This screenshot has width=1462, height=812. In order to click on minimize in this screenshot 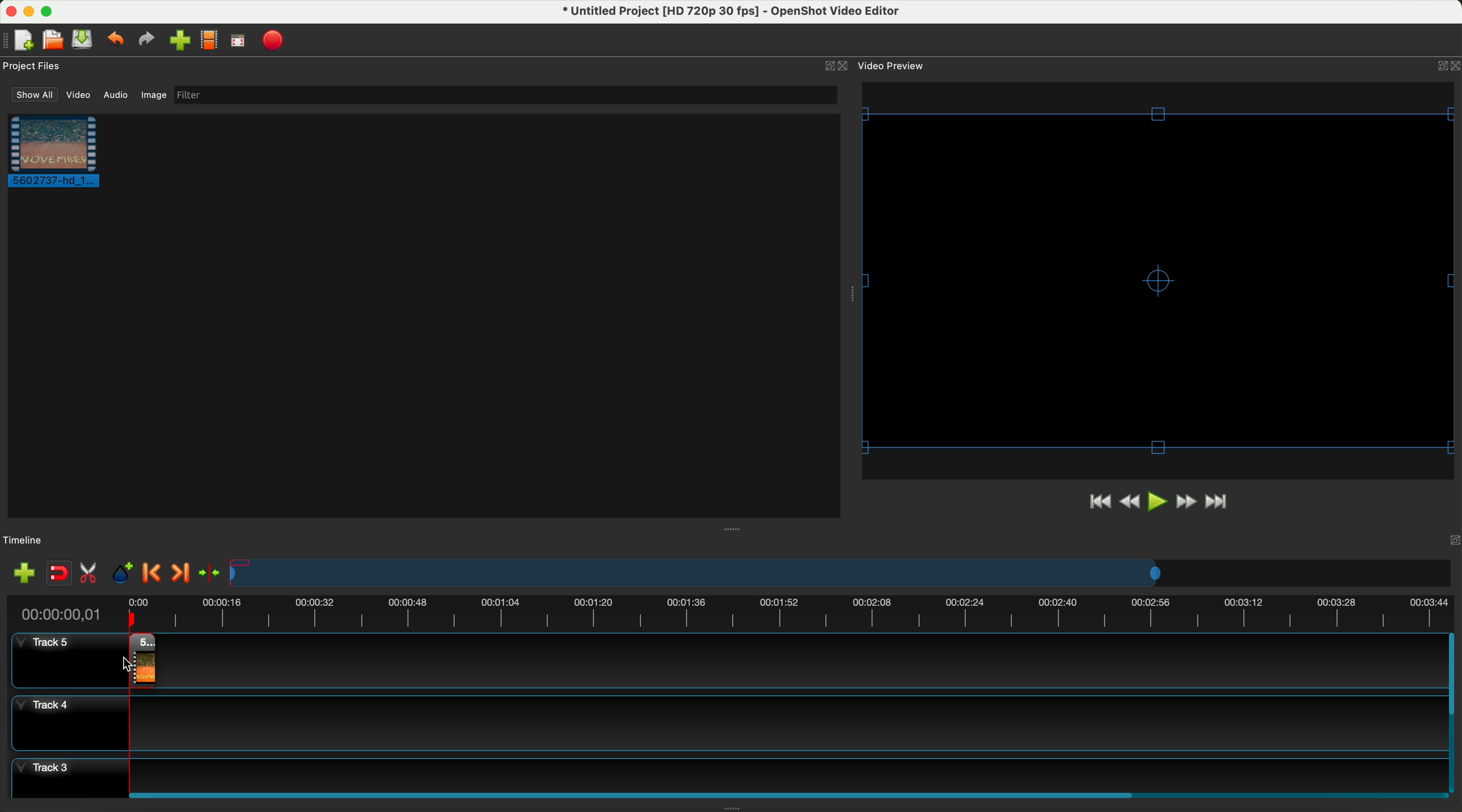, I will do `click(823, 67)`.